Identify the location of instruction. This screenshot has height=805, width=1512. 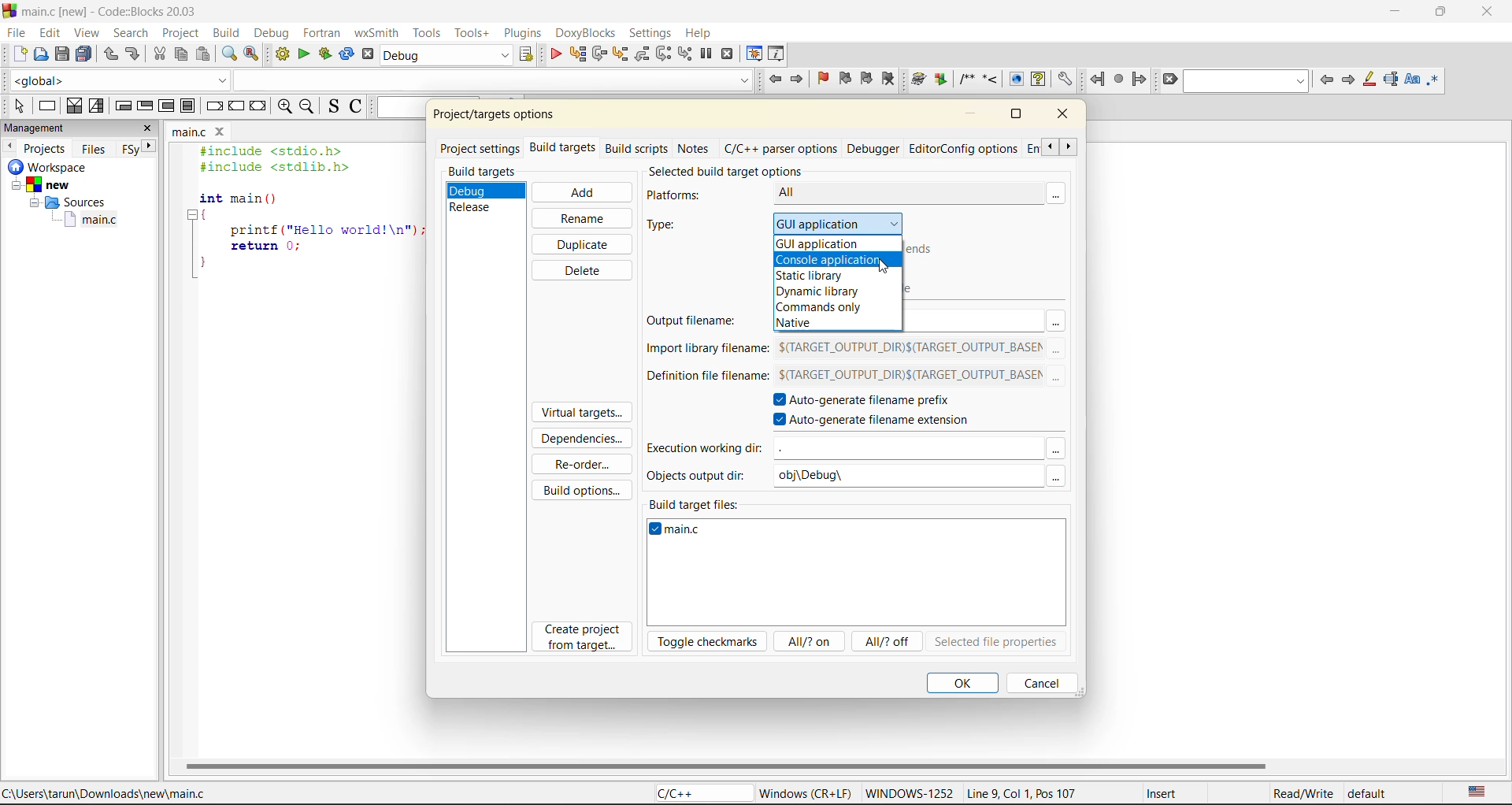
(50, 106).